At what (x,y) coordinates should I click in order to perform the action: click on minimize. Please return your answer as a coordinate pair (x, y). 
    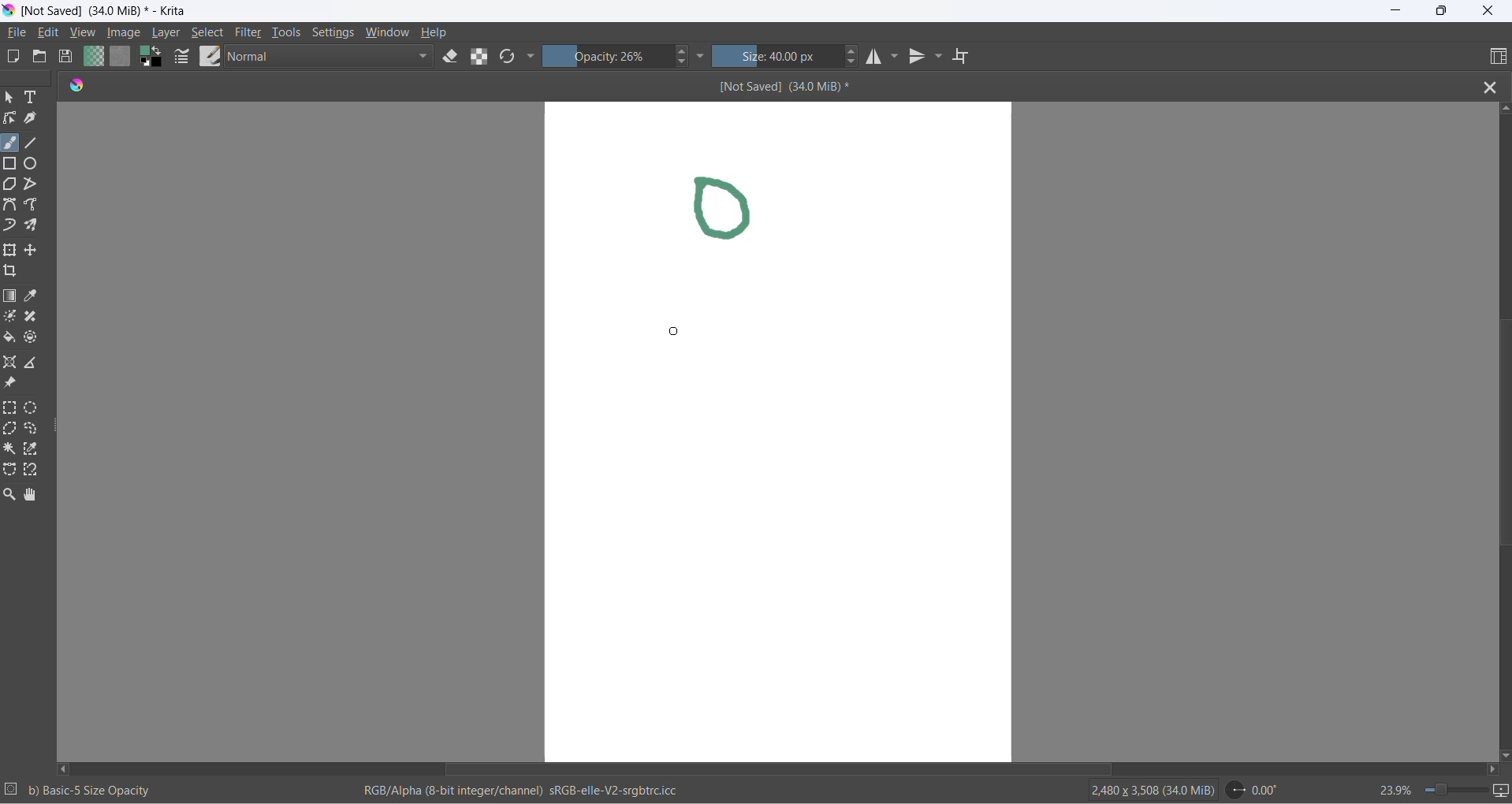
    Looking at the image, I should click on (1396, 10).